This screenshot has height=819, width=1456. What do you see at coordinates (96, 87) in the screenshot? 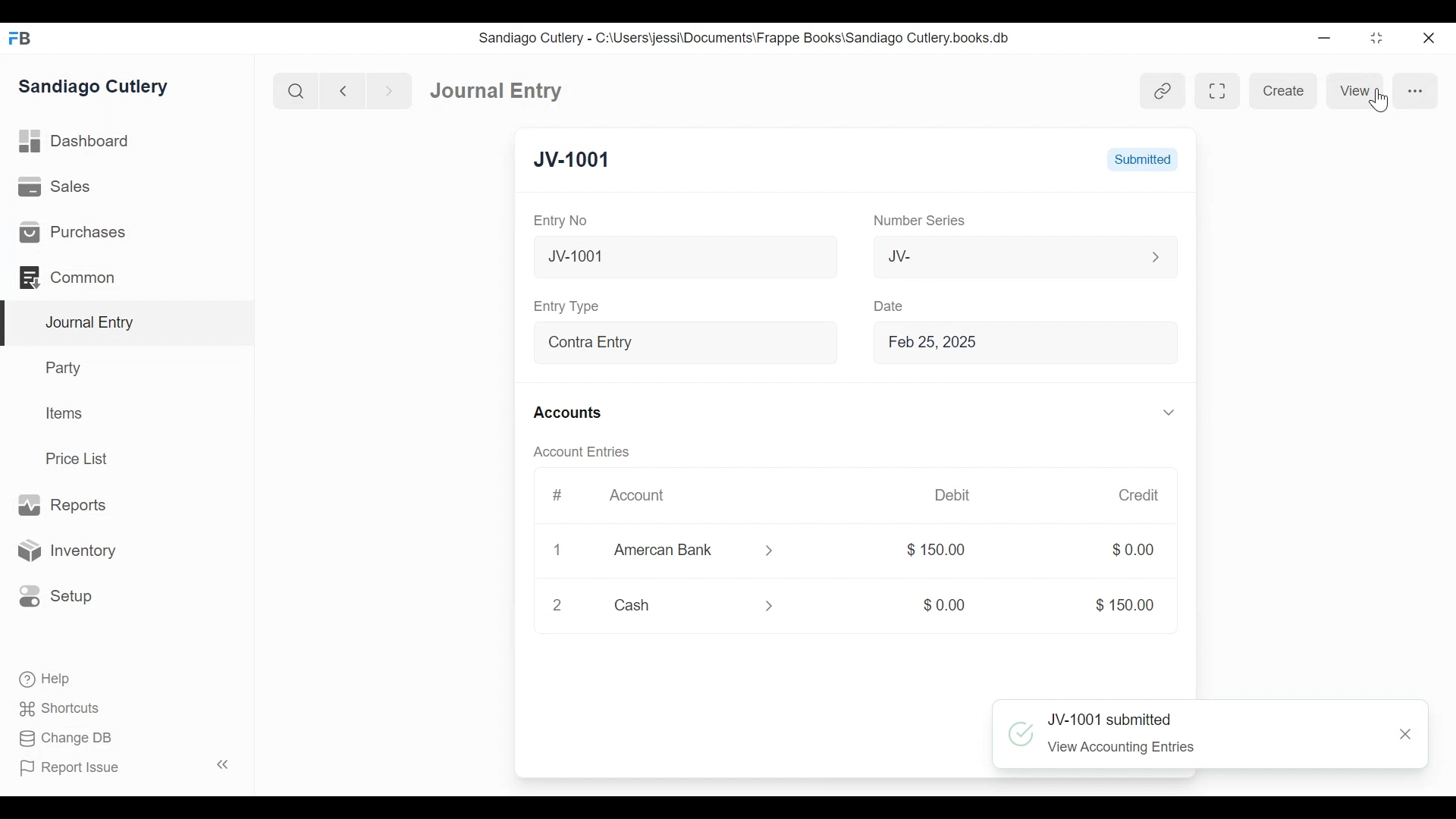
I see `Sandiago Cutlery` at bounding box center [96, 87].